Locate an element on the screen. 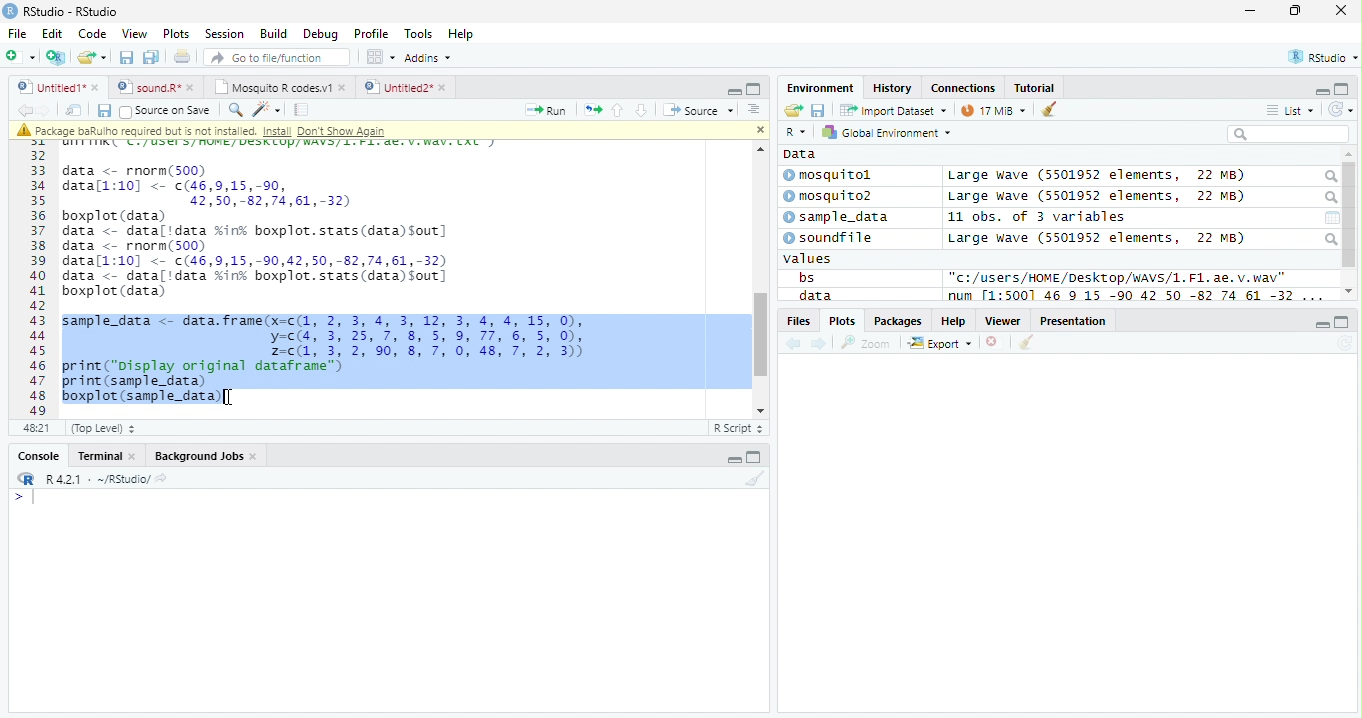 The image size is (1362, 718). Source on save is located at coordinates (165, 112).